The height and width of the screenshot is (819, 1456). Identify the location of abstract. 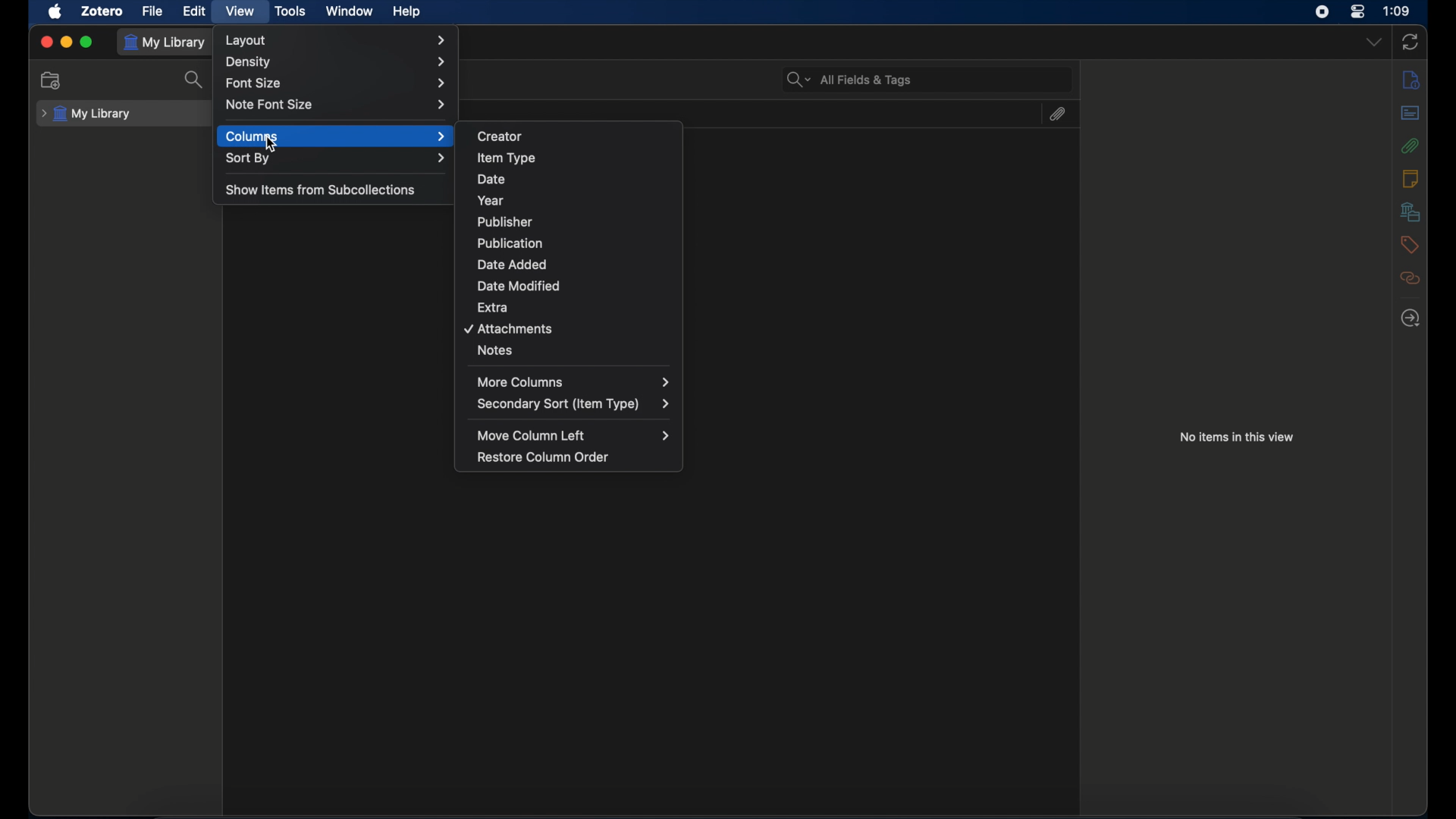
(1411, 113).